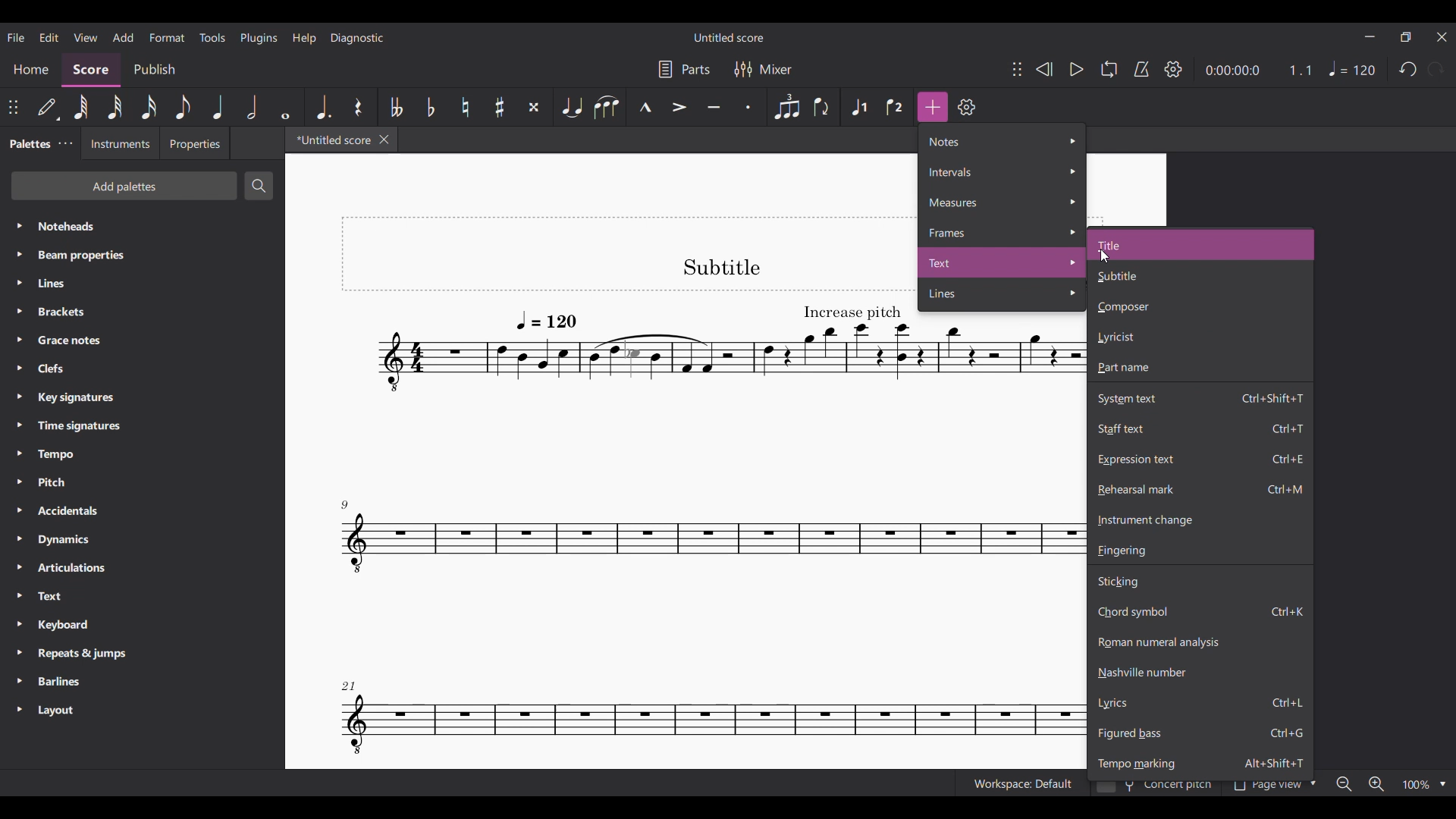  Describe the element at coordinates (1104, 256) in the screenshot. I see `Cursor` at that location.